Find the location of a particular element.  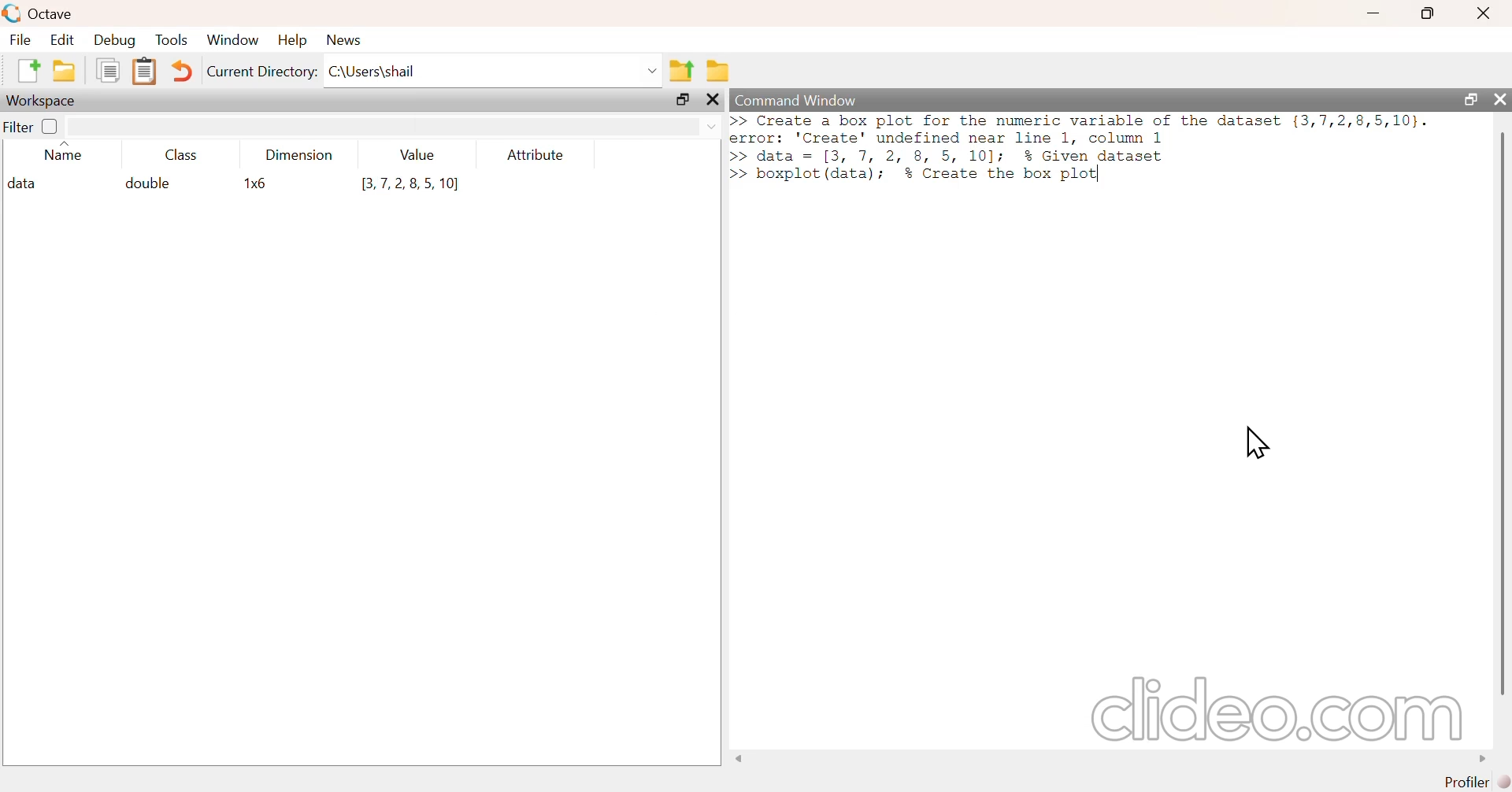

one directory up is located at coordinates (682, 69).